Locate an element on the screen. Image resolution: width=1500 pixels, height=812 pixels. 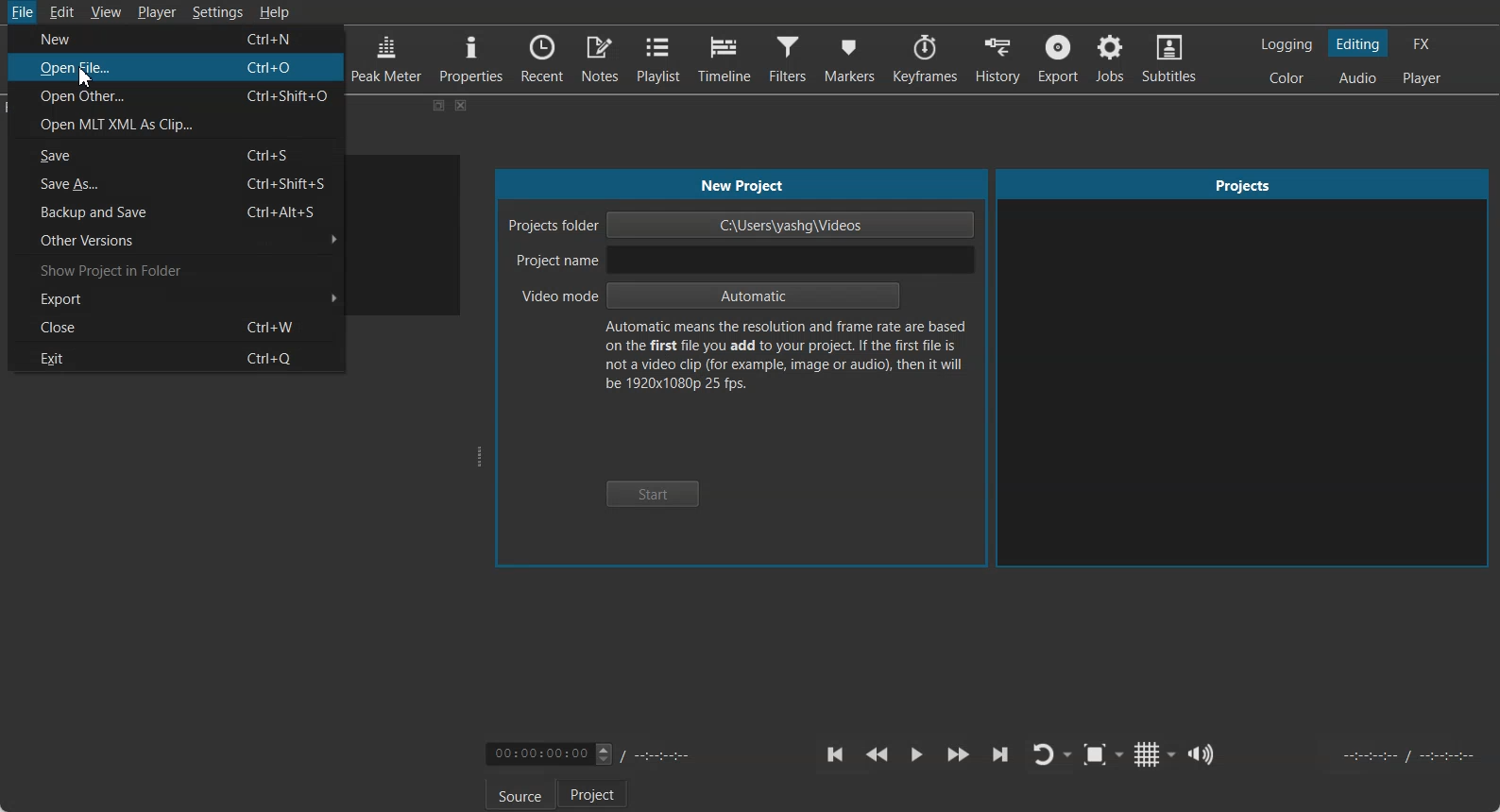
Automatic is located at coordinates (756, 297).